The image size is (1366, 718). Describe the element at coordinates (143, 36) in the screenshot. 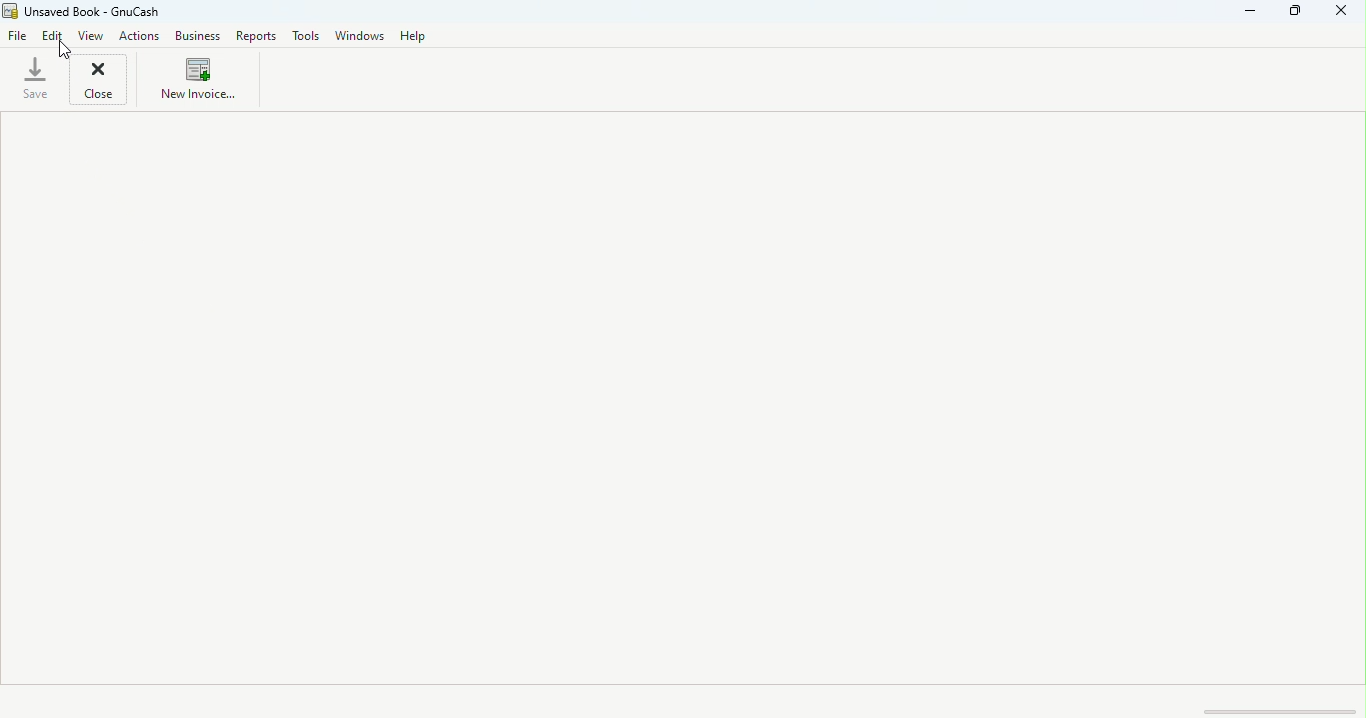

I see `Actions` at that location.